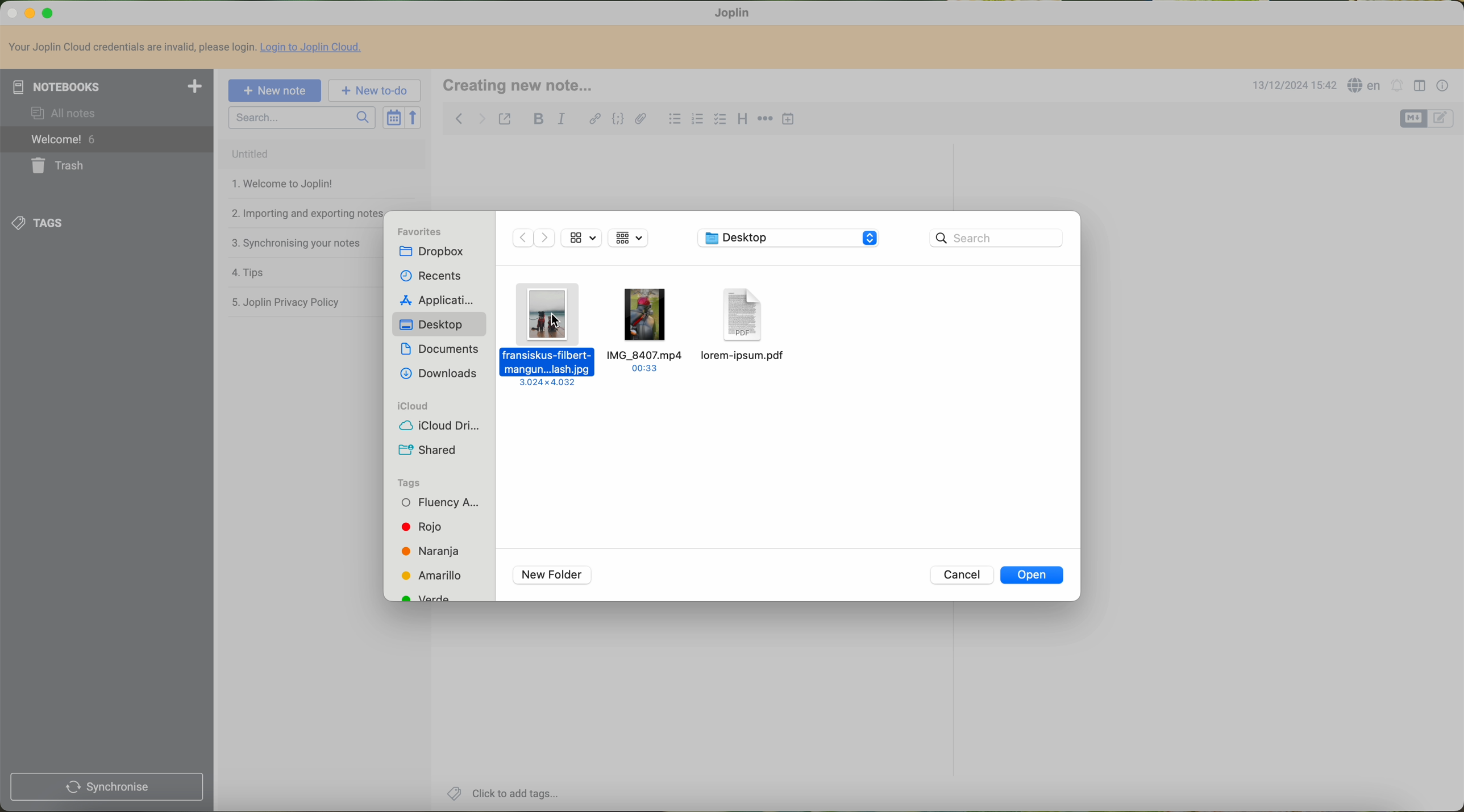 This screenshot has height=812, width=1464. What do you see at coordinates (648, 330) in the screenshot?
I see `video file` at bounding box center [648, 330].